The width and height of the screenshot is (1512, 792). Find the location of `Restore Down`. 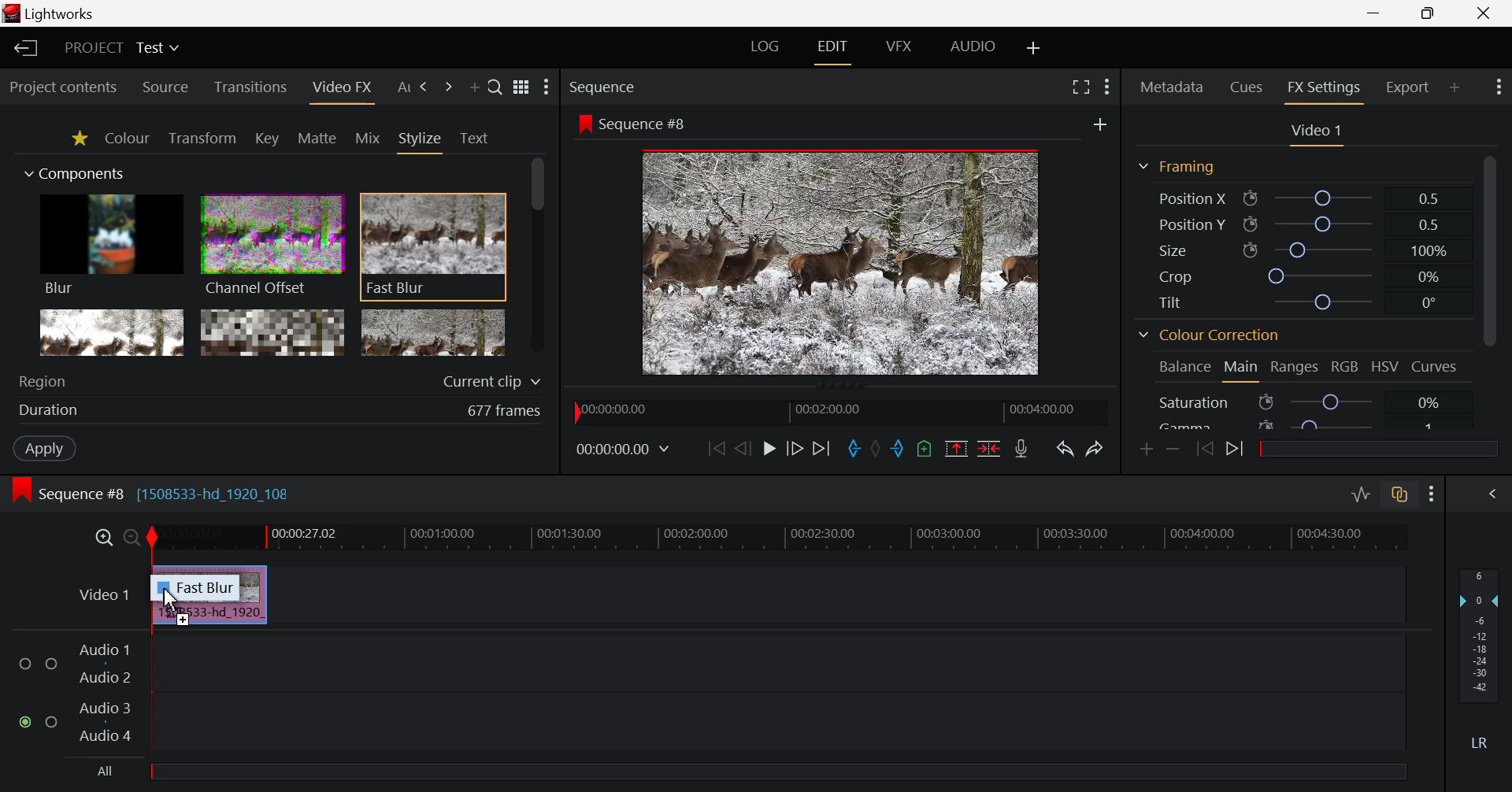

Restore Down is located at coordinates (1379, 13).